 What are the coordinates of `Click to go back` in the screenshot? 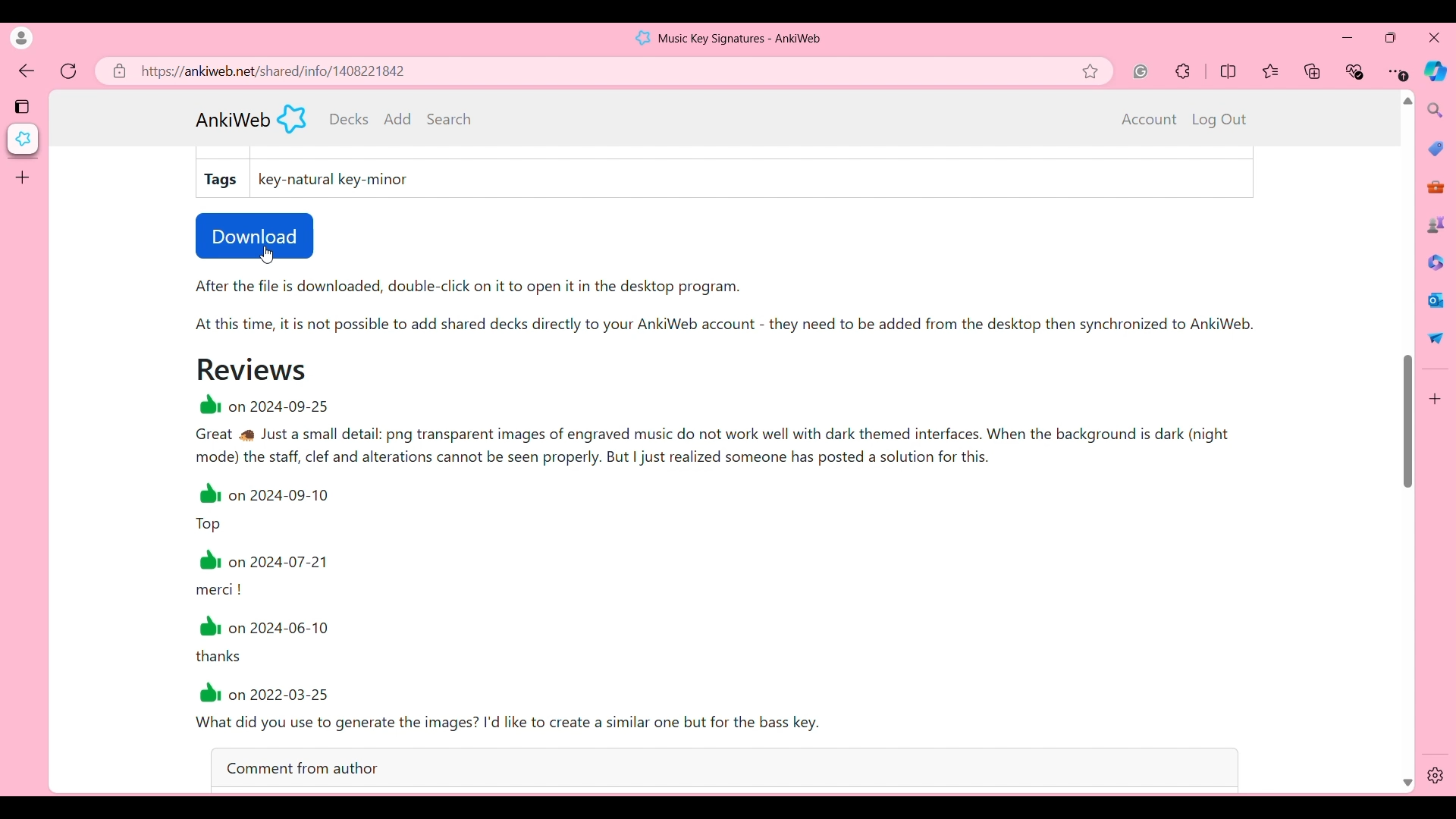 It's located at (27, 72).